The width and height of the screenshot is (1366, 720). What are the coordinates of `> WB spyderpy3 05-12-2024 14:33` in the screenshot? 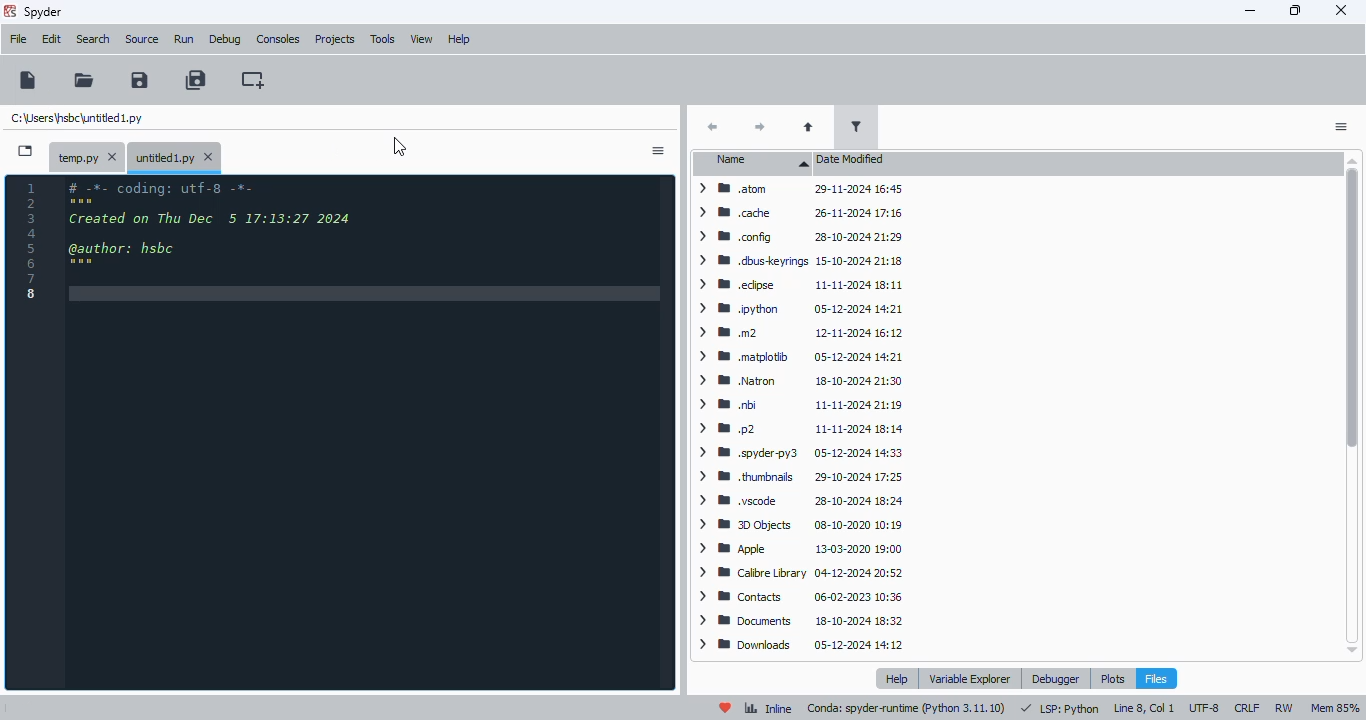 It's located at (799, 453).